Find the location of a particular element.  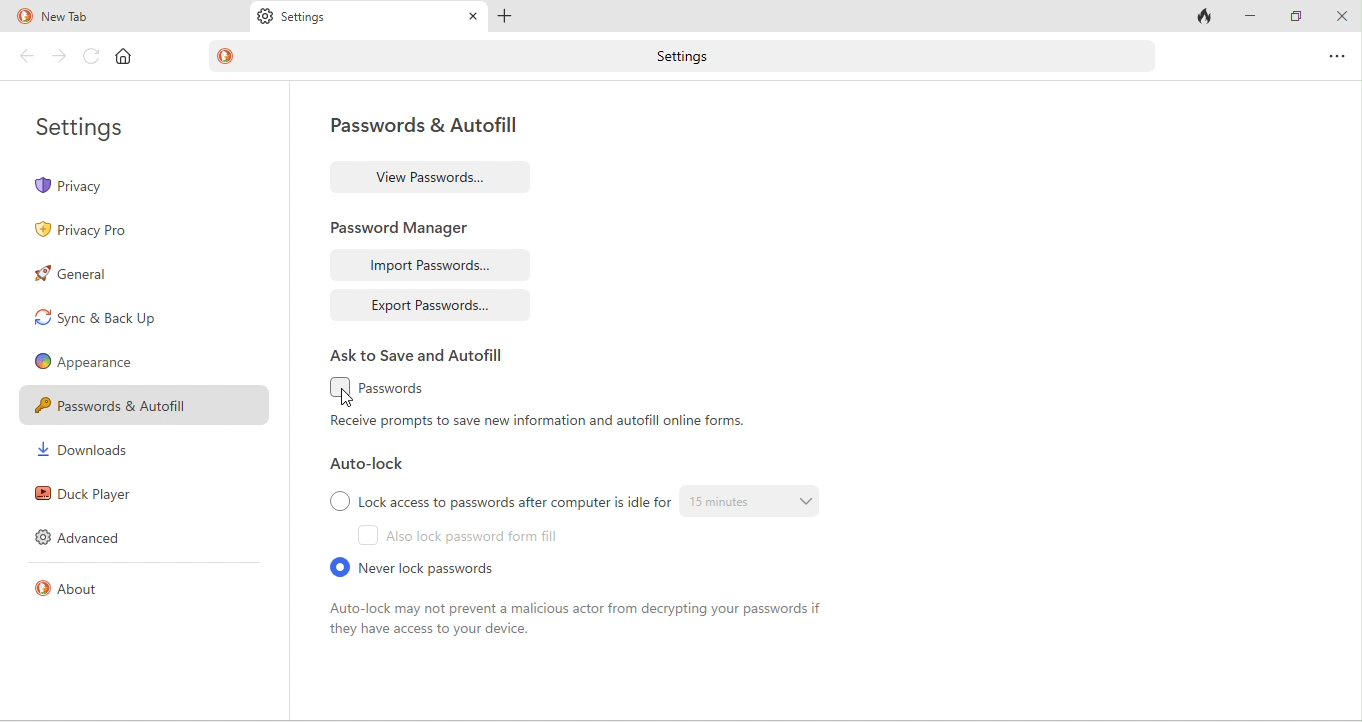

settings is located at coordinates (310, 20).